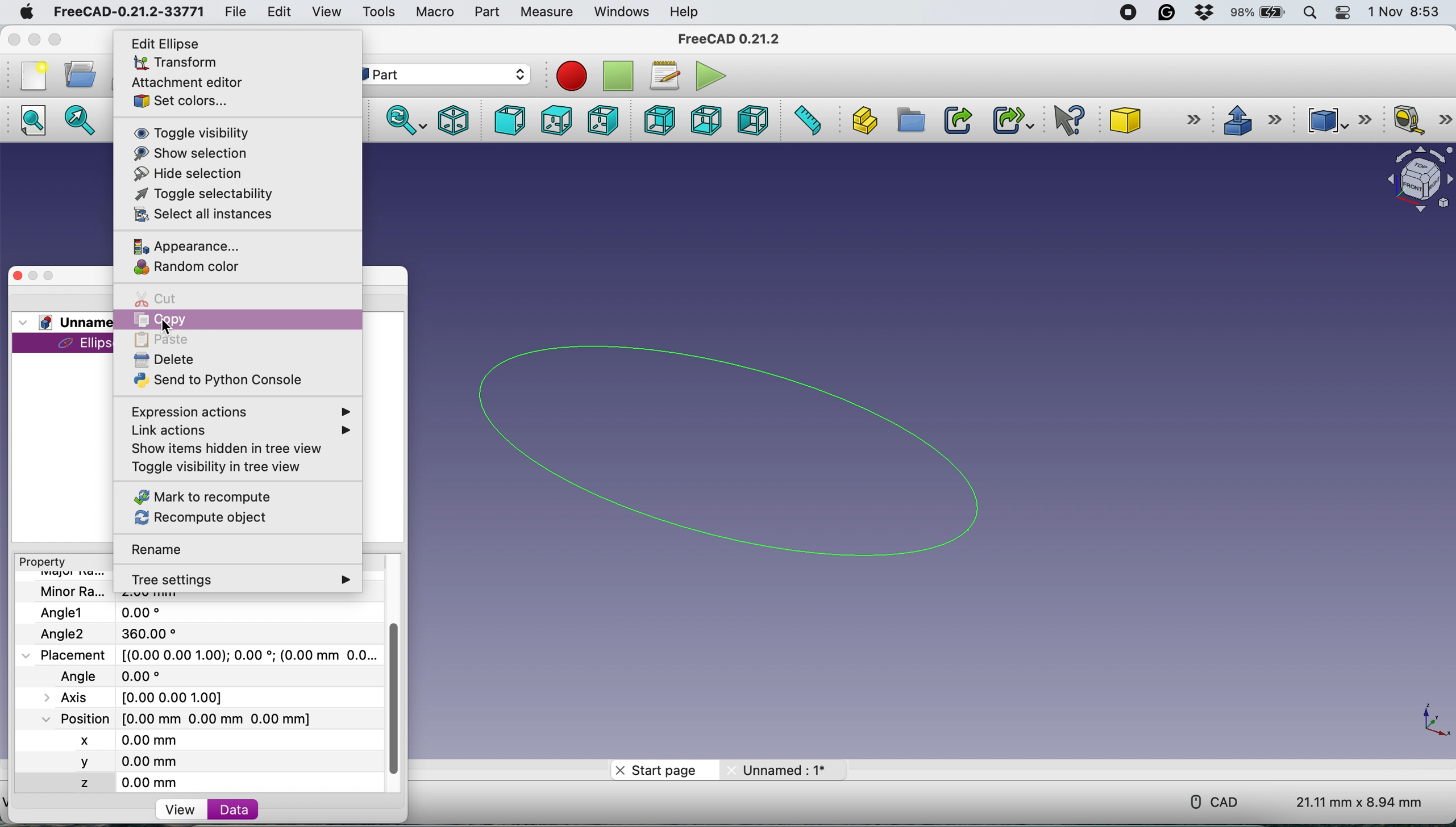 The height and width of the screenshot is (827, 1456). I want to click on transform, so click(175, 61).